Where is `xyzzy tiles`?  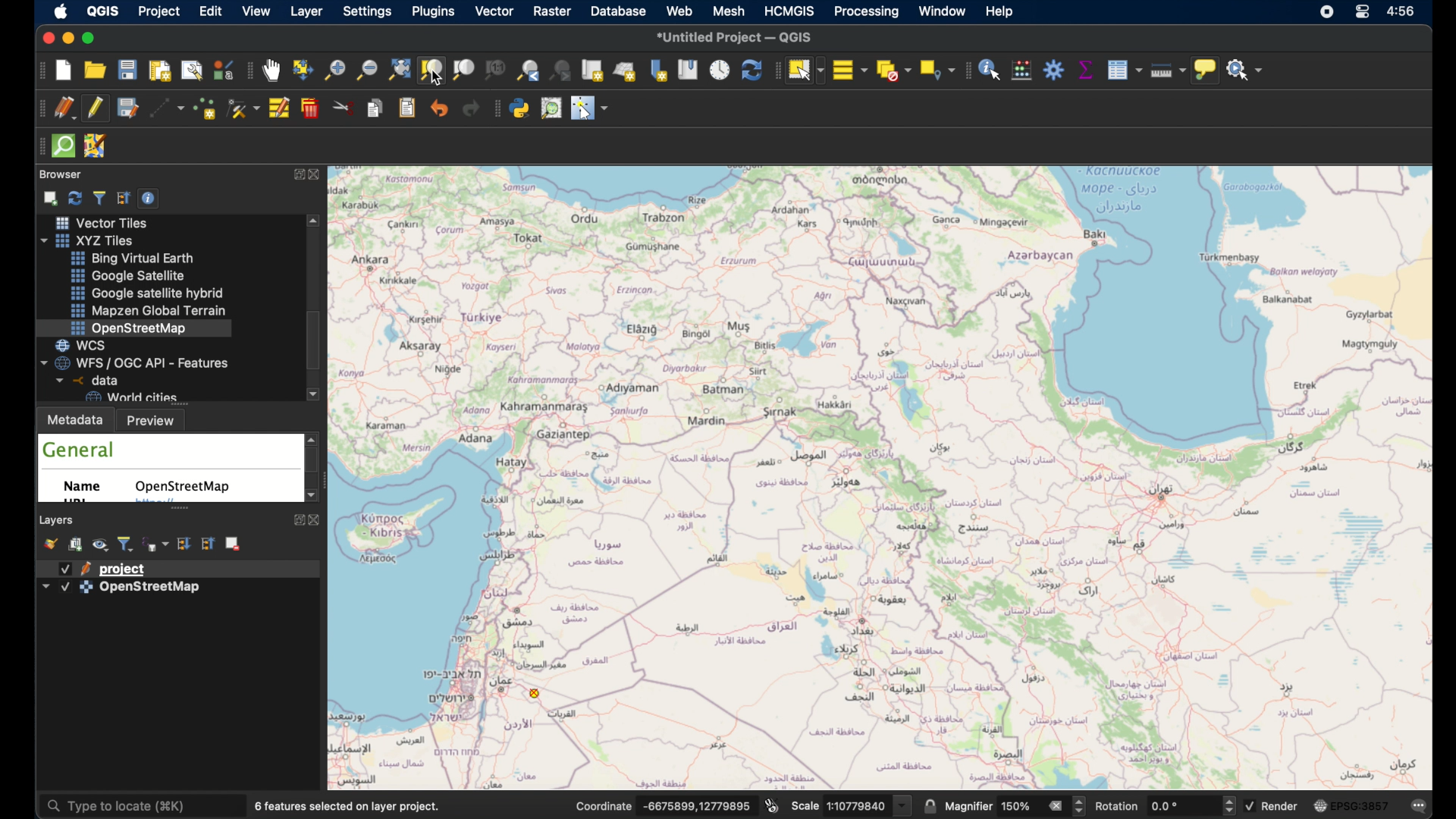
xyzzy tiles is located at coordinates (94, 240).